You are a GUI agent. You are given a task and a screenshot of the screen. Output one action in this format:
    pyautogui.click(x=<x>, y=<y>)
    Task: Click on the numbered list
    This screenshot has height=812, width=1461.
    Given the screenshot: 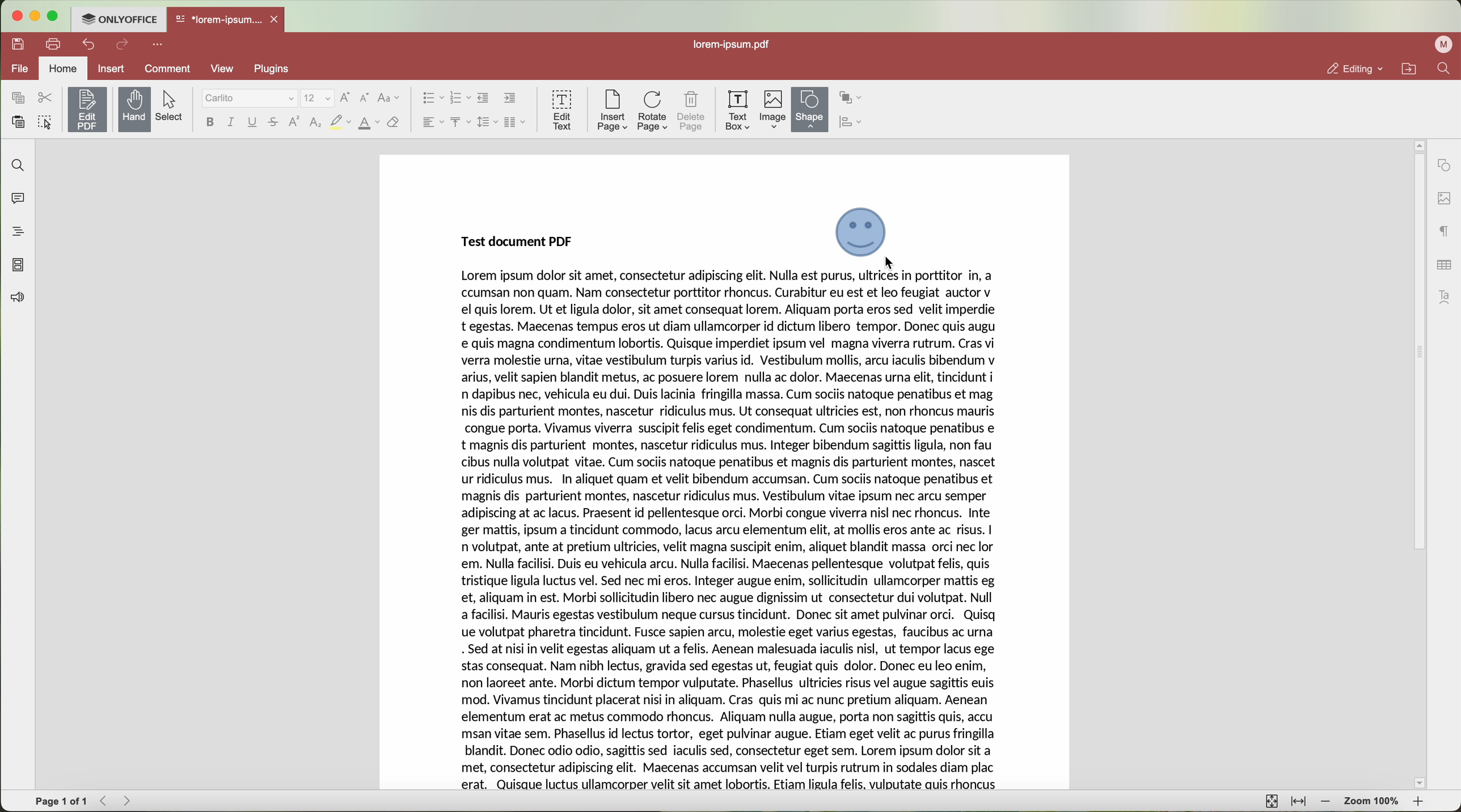 What is the action you would take?
    pyautogui.click(x=460, y=98)
    